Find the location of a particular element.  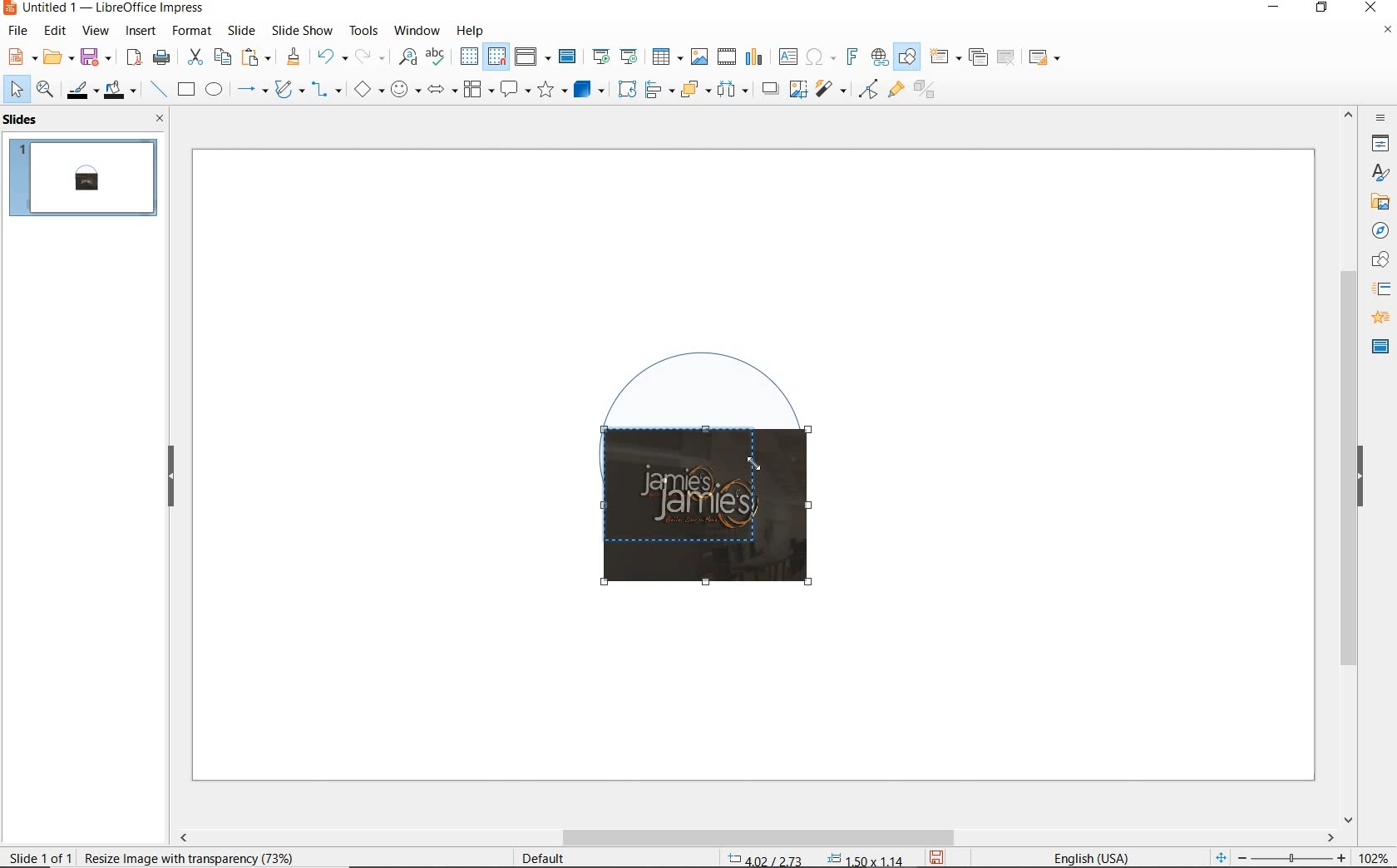

crop image is located at coordinates (797, 87).